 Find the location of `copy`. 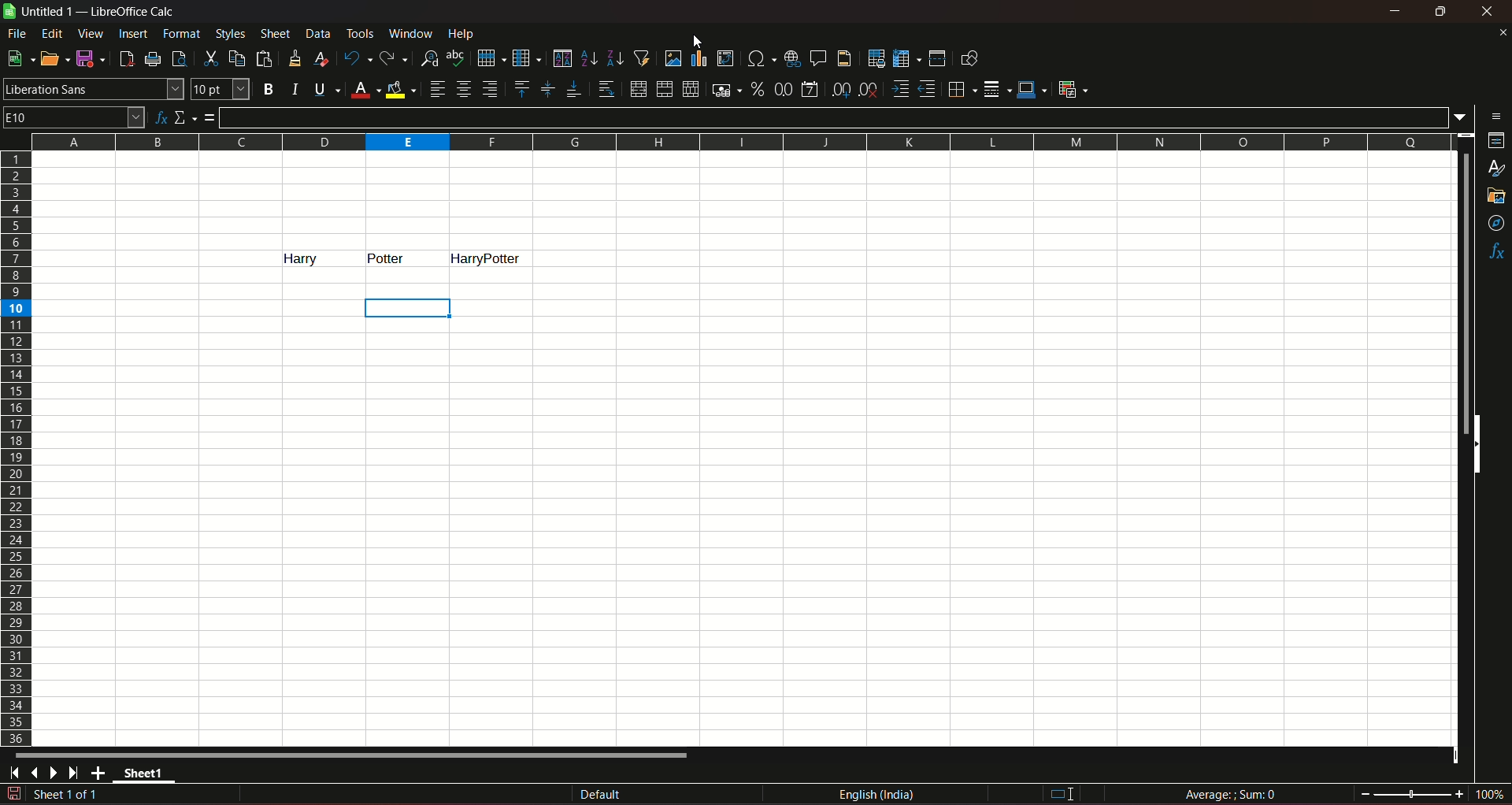

copy is located at coordinates (237, 58).